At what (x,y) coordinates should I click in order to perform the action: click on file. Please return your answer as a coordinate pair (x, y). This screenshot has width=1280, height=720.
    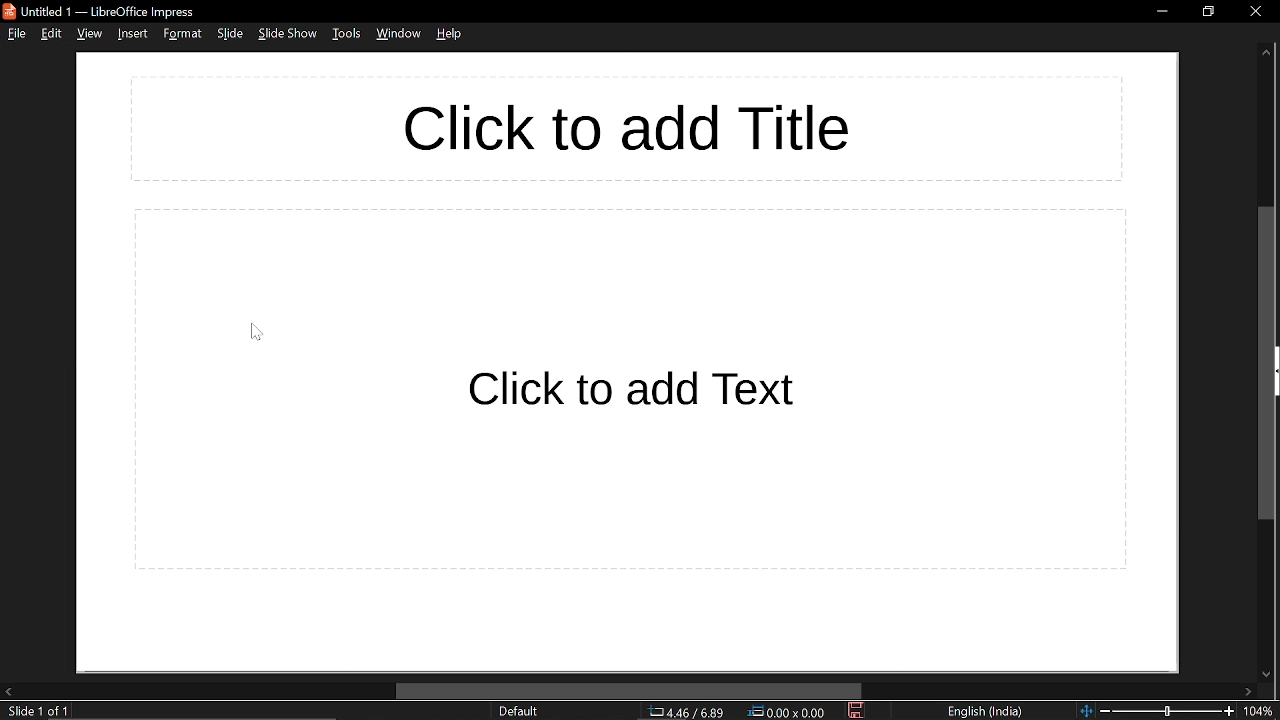
    Looking at the image, I should click on (15, 34).